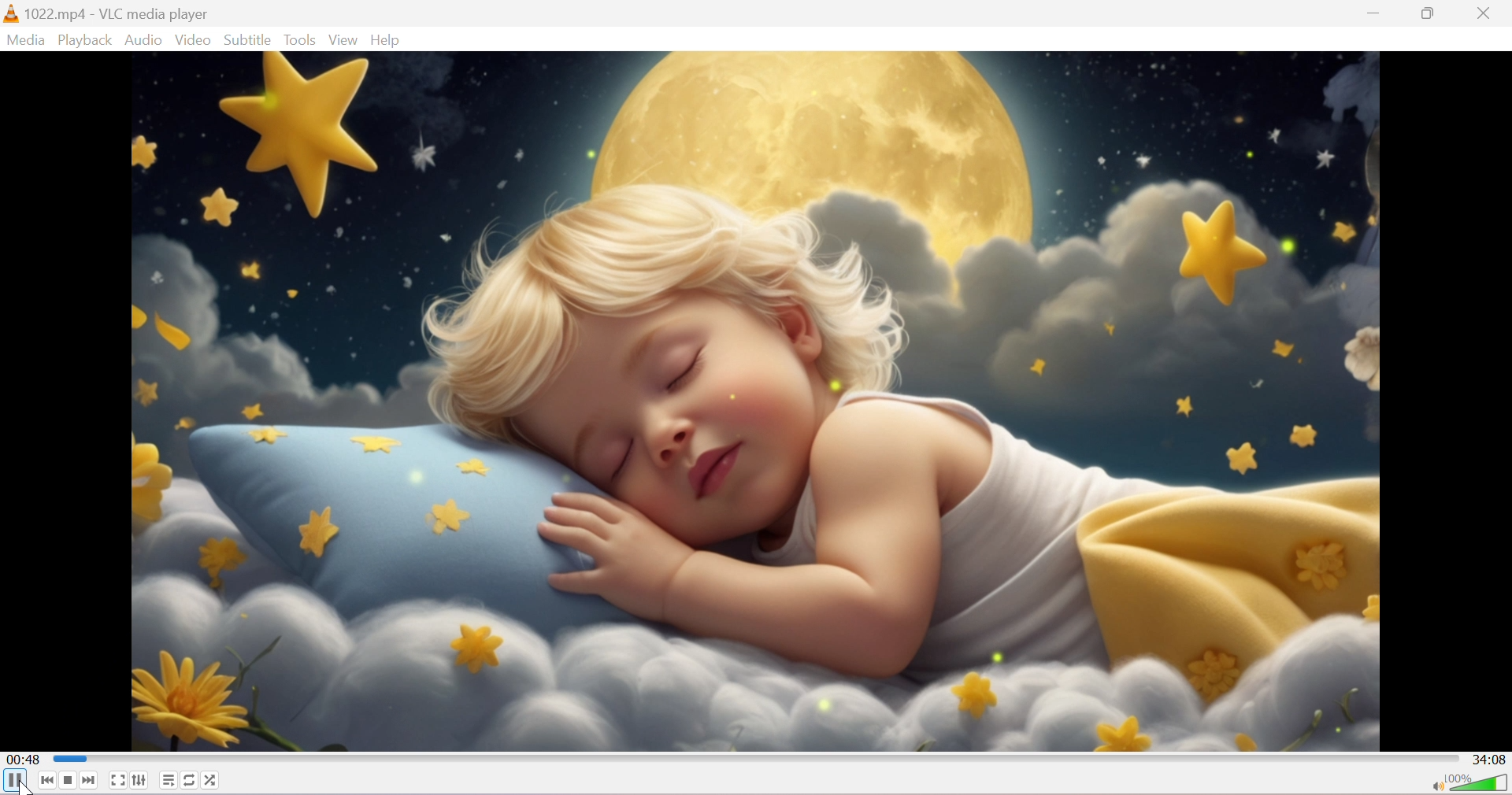  I want to click on Audio, so click(143, 39).